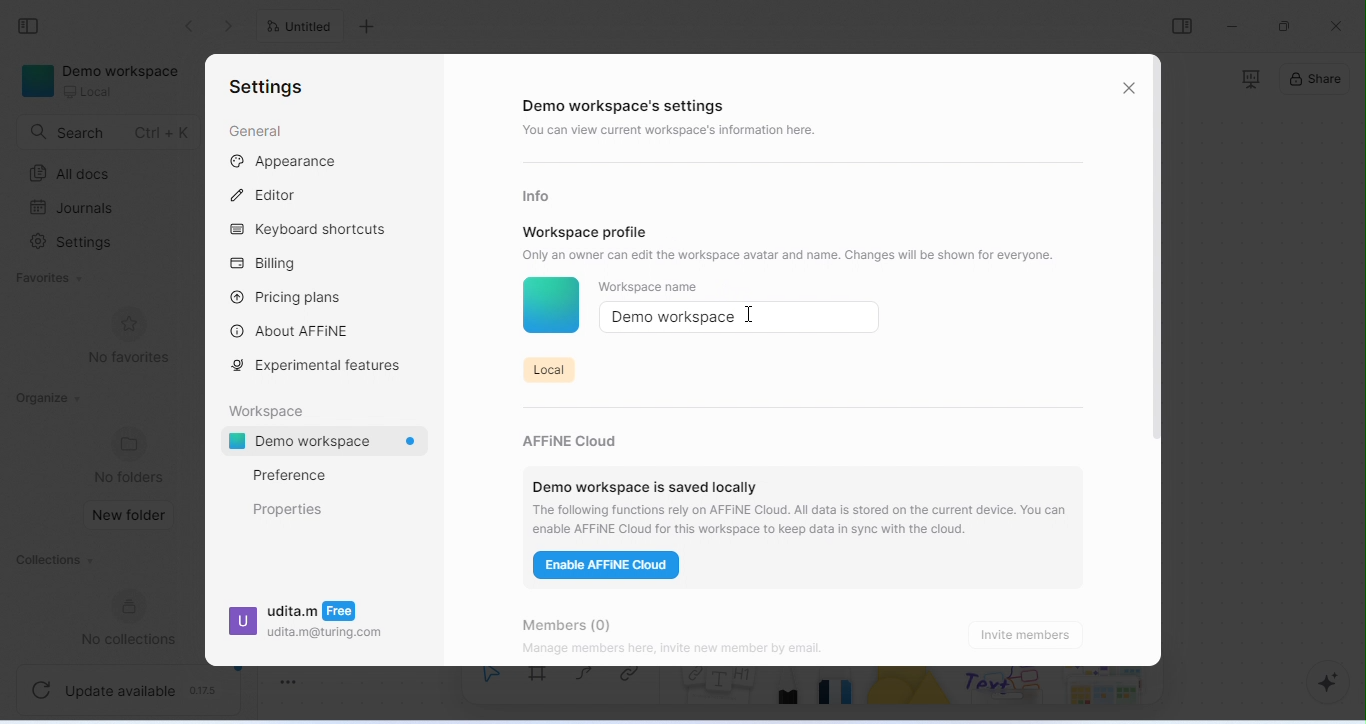  I want to click on affine cloud, so click(576, 436).